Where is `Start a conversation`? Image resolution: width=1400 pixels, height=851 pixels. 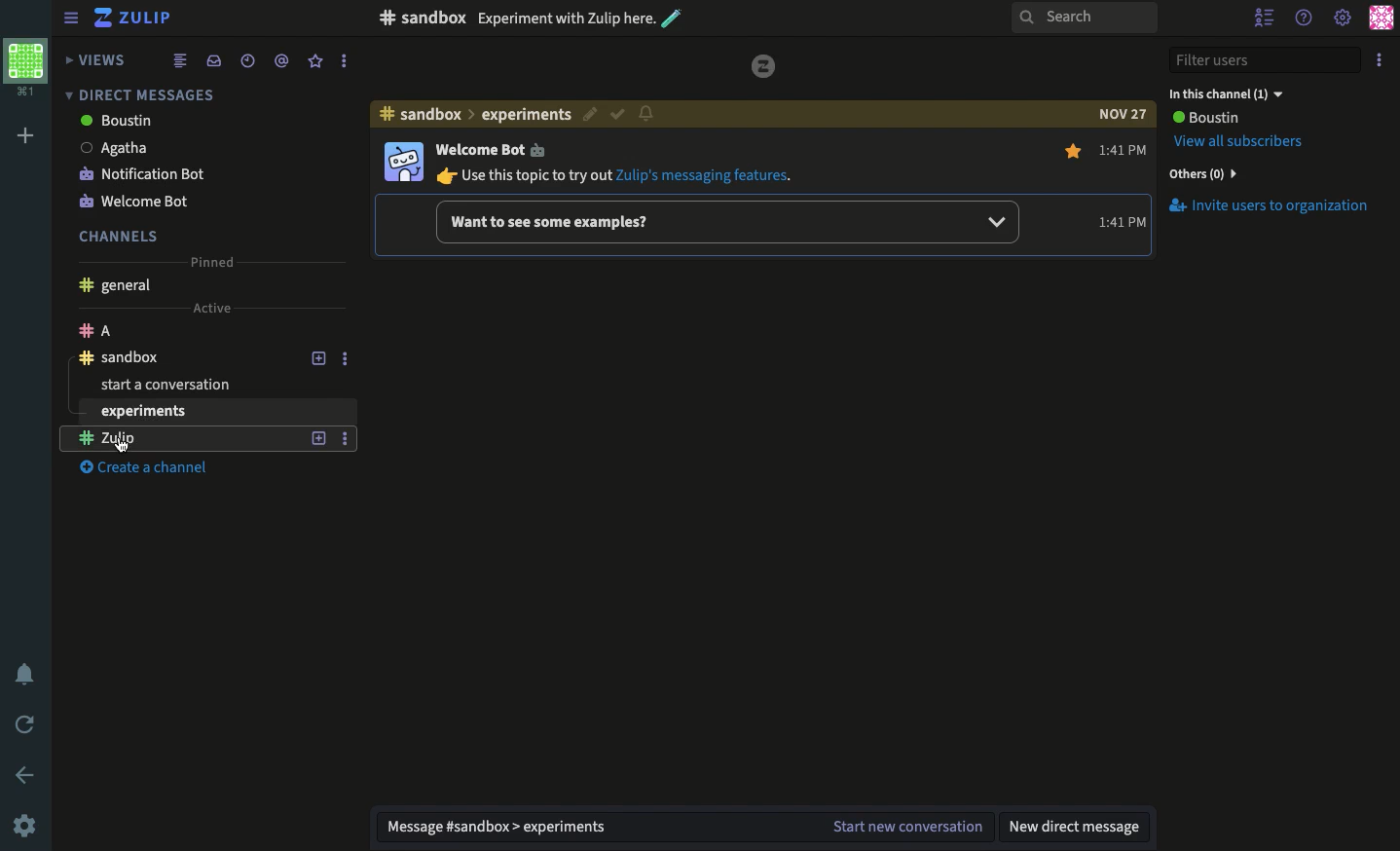 Start a conversation is located at coordinates (203, 386).